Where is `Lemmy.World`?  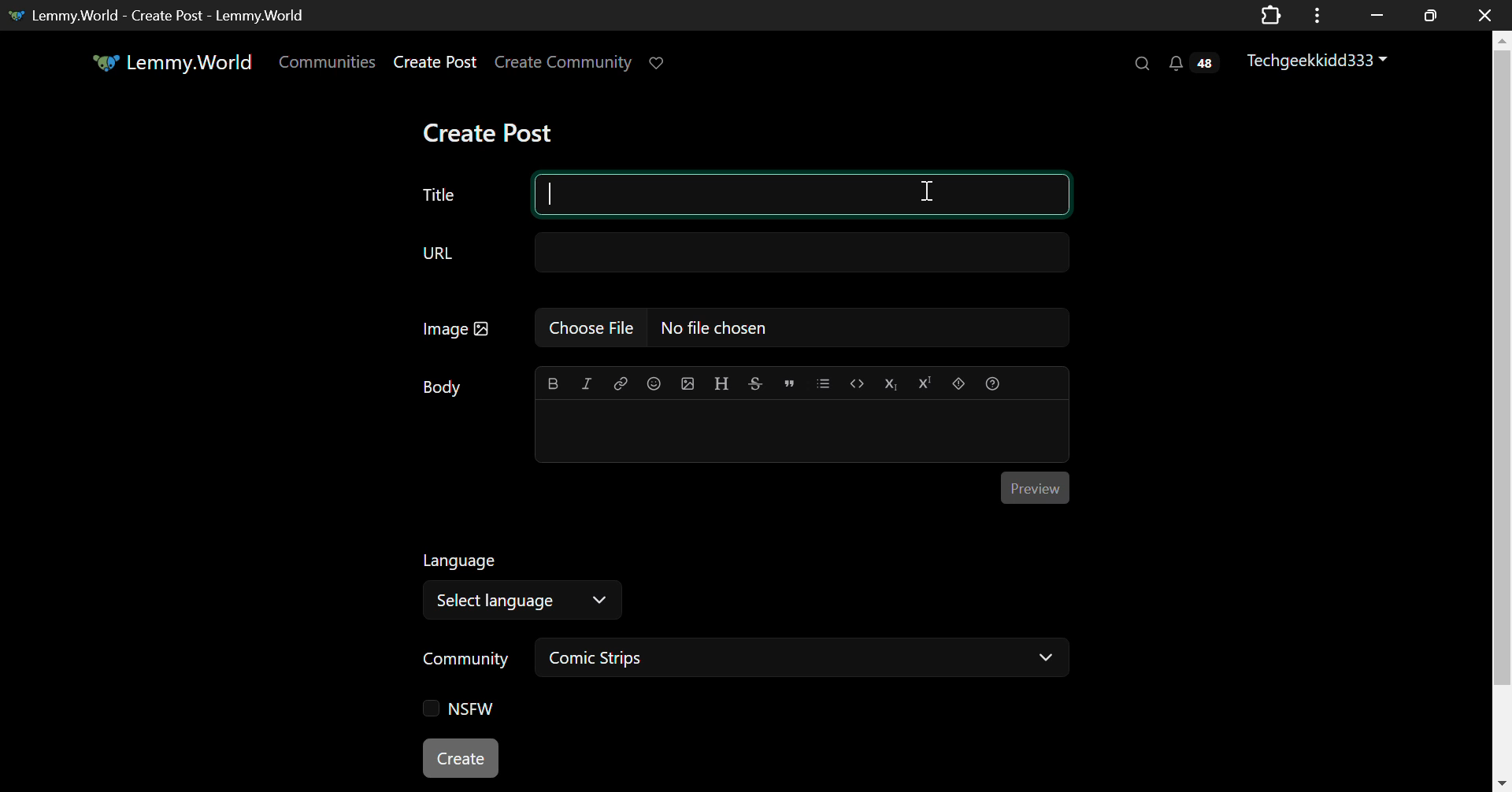 Lemmy.World is located at coordinates (172, 65).